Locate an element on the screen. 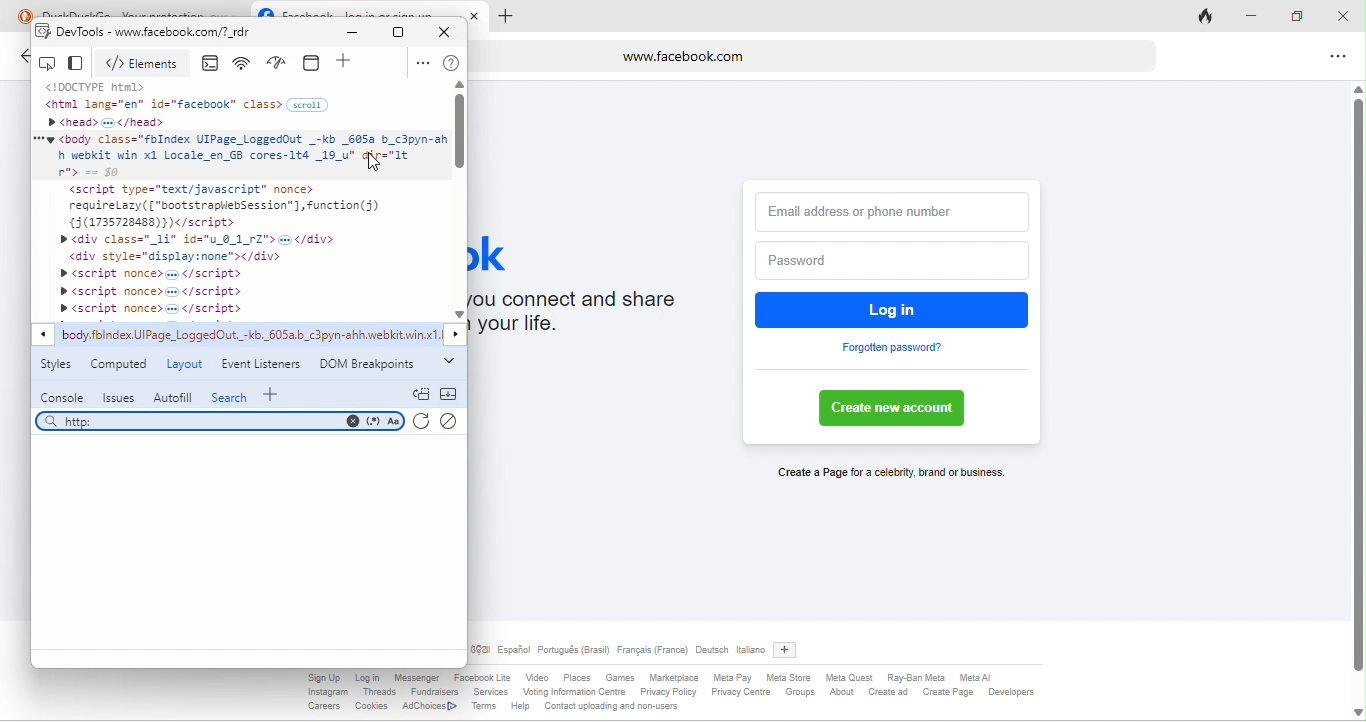 This screenshot has height=722, width=1366. scroll up is located at coordinates (459, 86).